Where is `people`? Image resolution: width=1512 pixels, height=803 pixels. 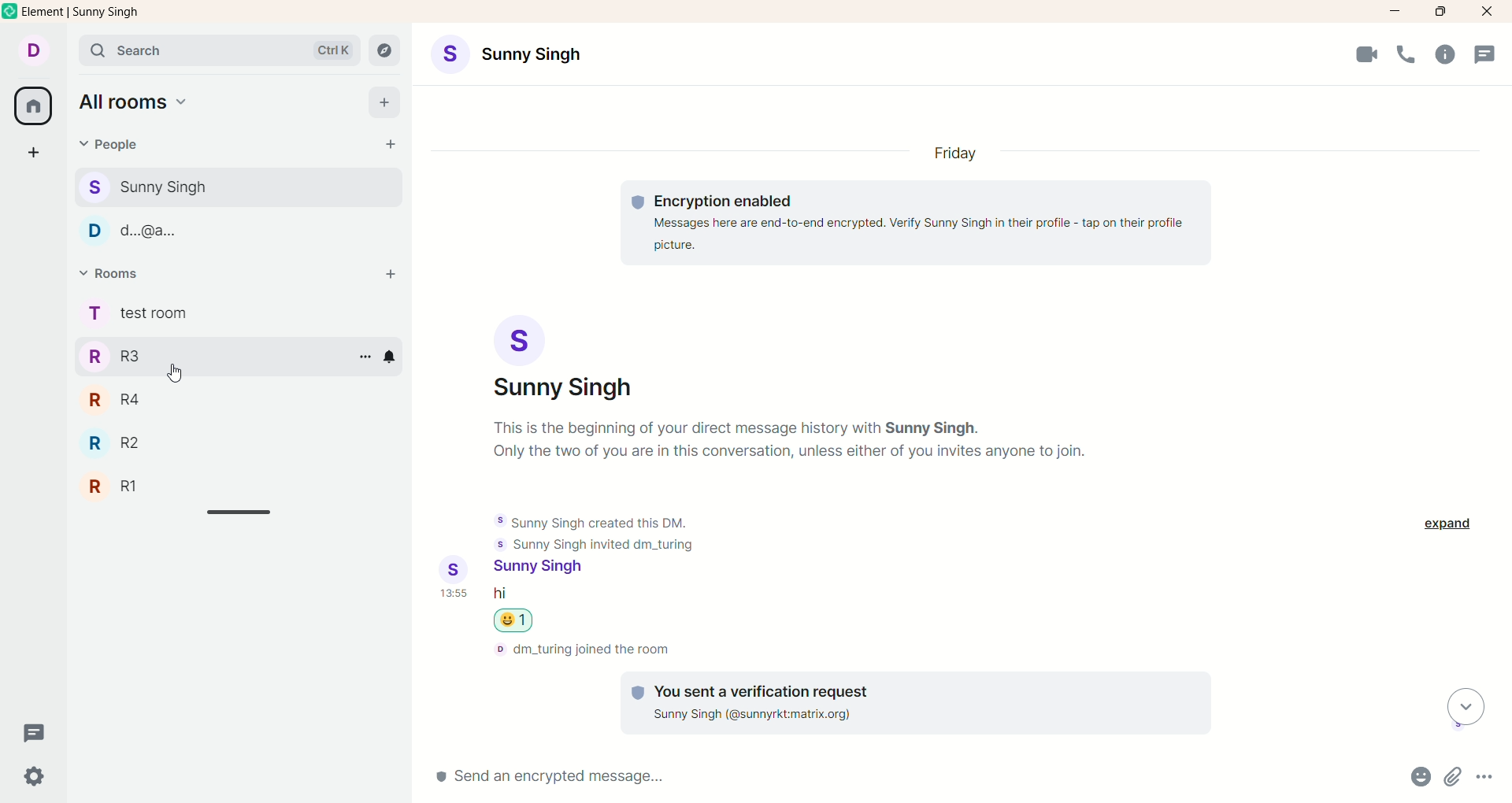 people is located at coordinates (169, 185).